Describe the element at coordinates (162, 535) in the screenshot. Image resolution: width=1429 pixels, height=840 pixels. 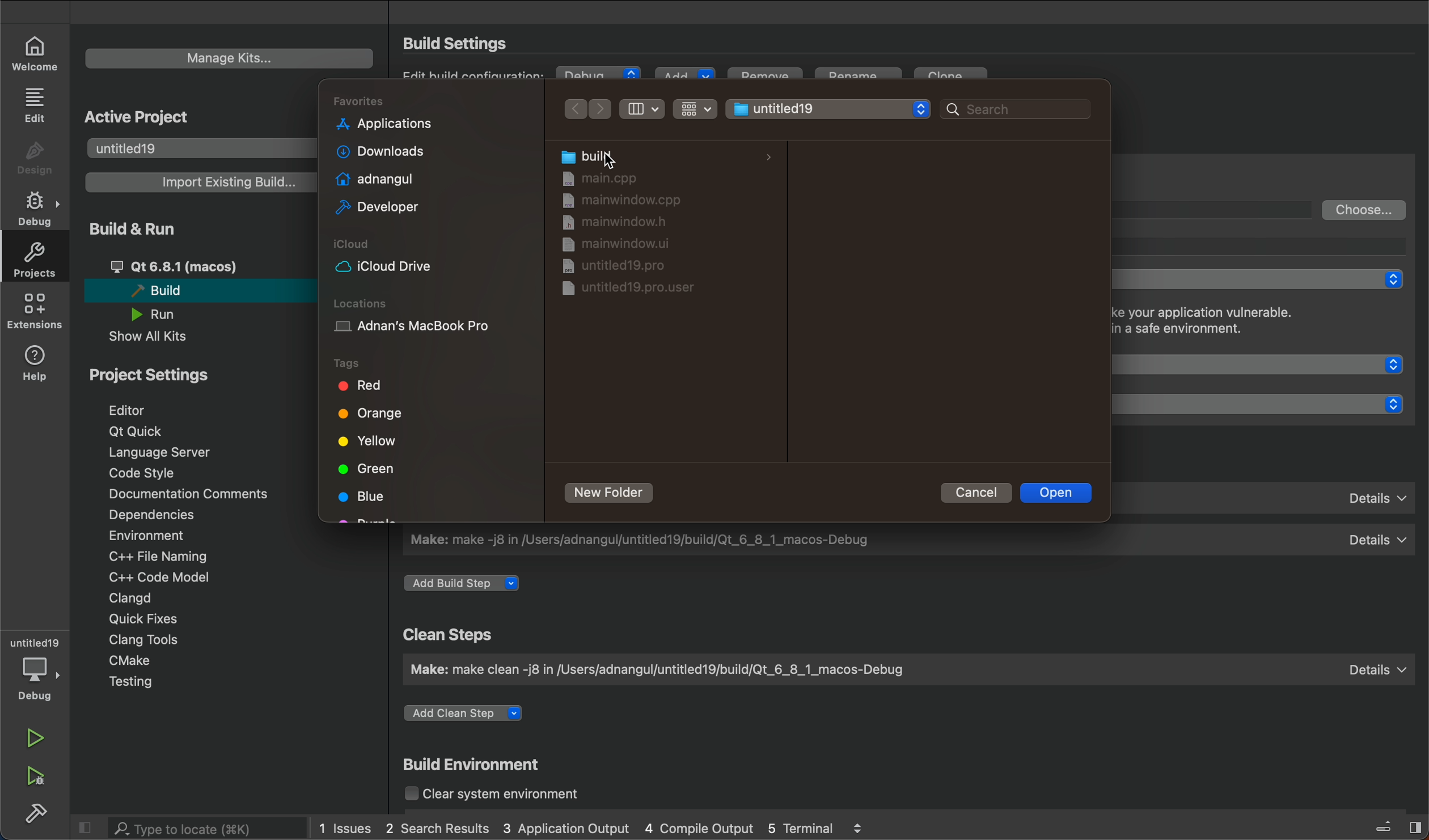
I see `Environment ` at that location.